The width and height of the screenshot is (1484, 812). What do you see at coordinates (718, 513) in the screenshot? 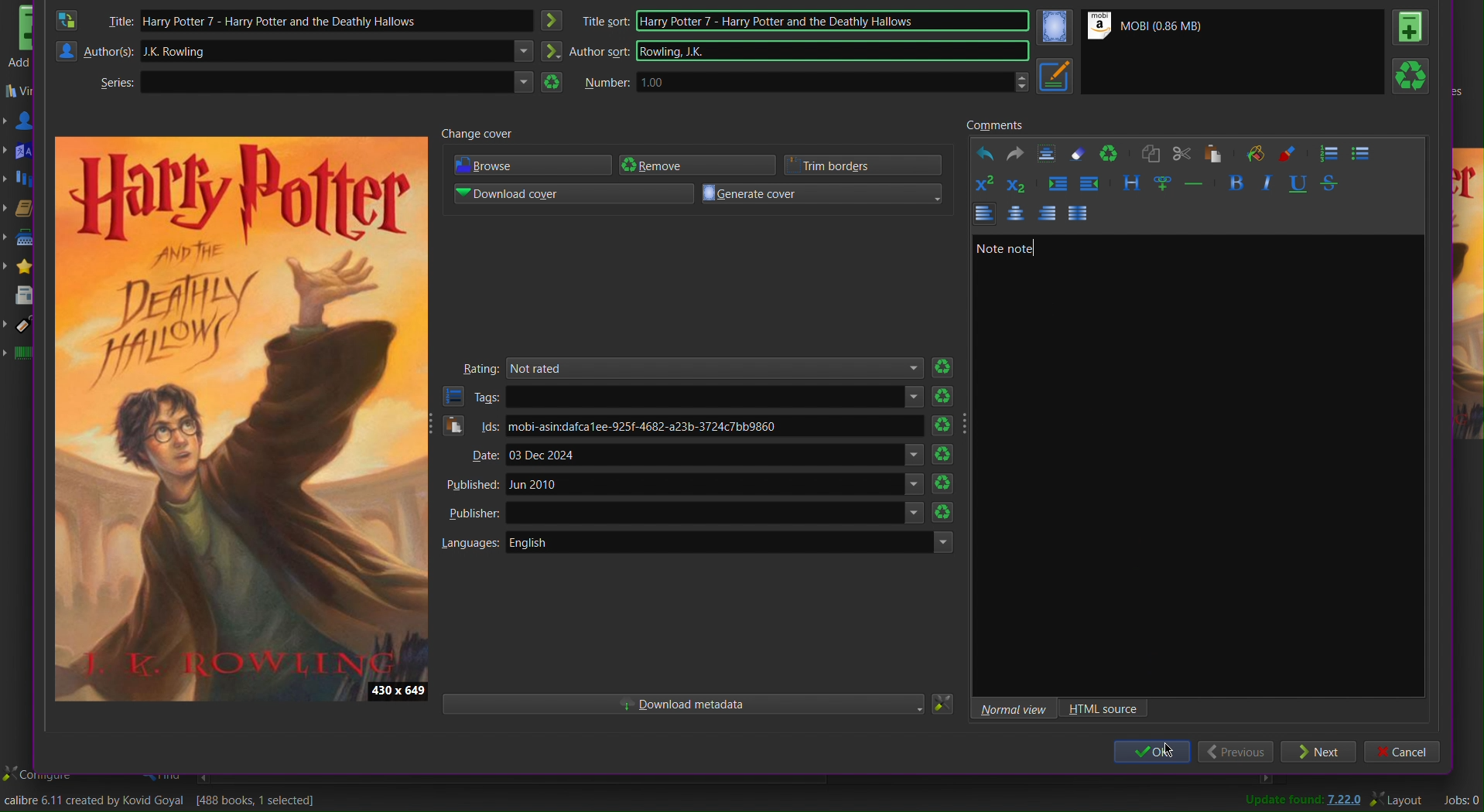
I see `` at bounding box center [718, 513].